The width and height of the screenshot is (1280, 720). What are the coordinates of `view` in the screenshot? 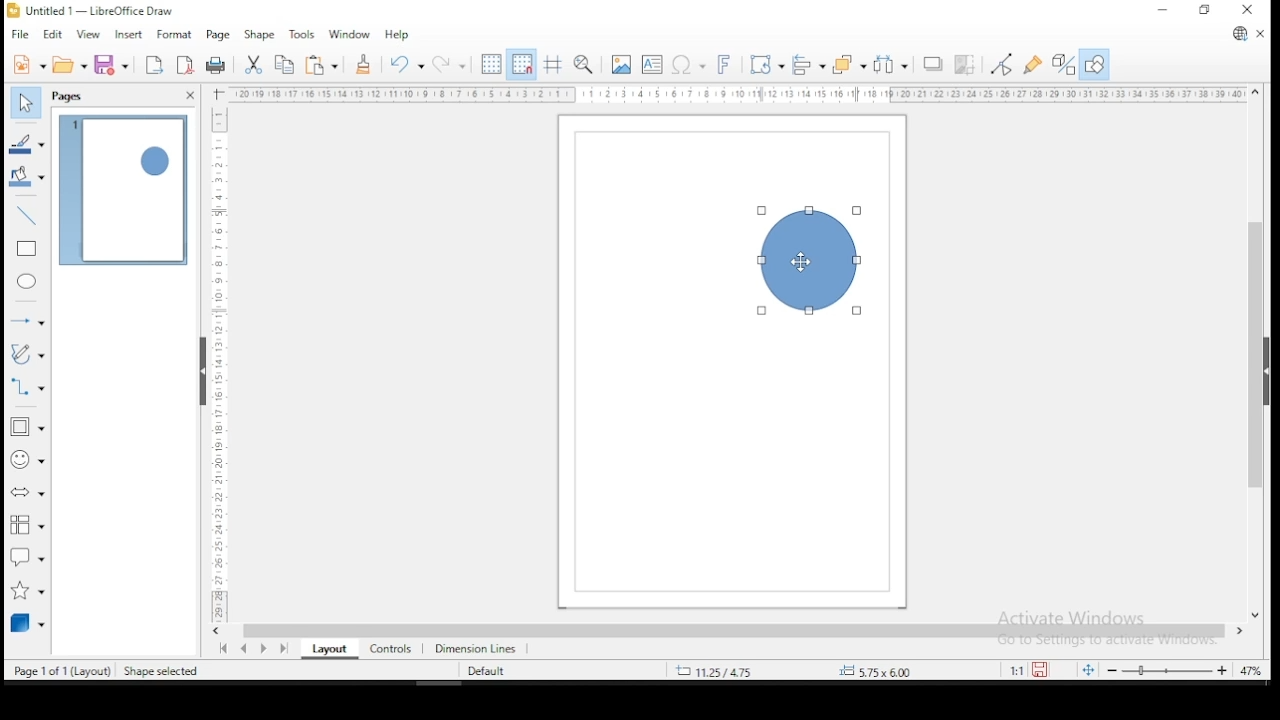 It's located at (88, 35).